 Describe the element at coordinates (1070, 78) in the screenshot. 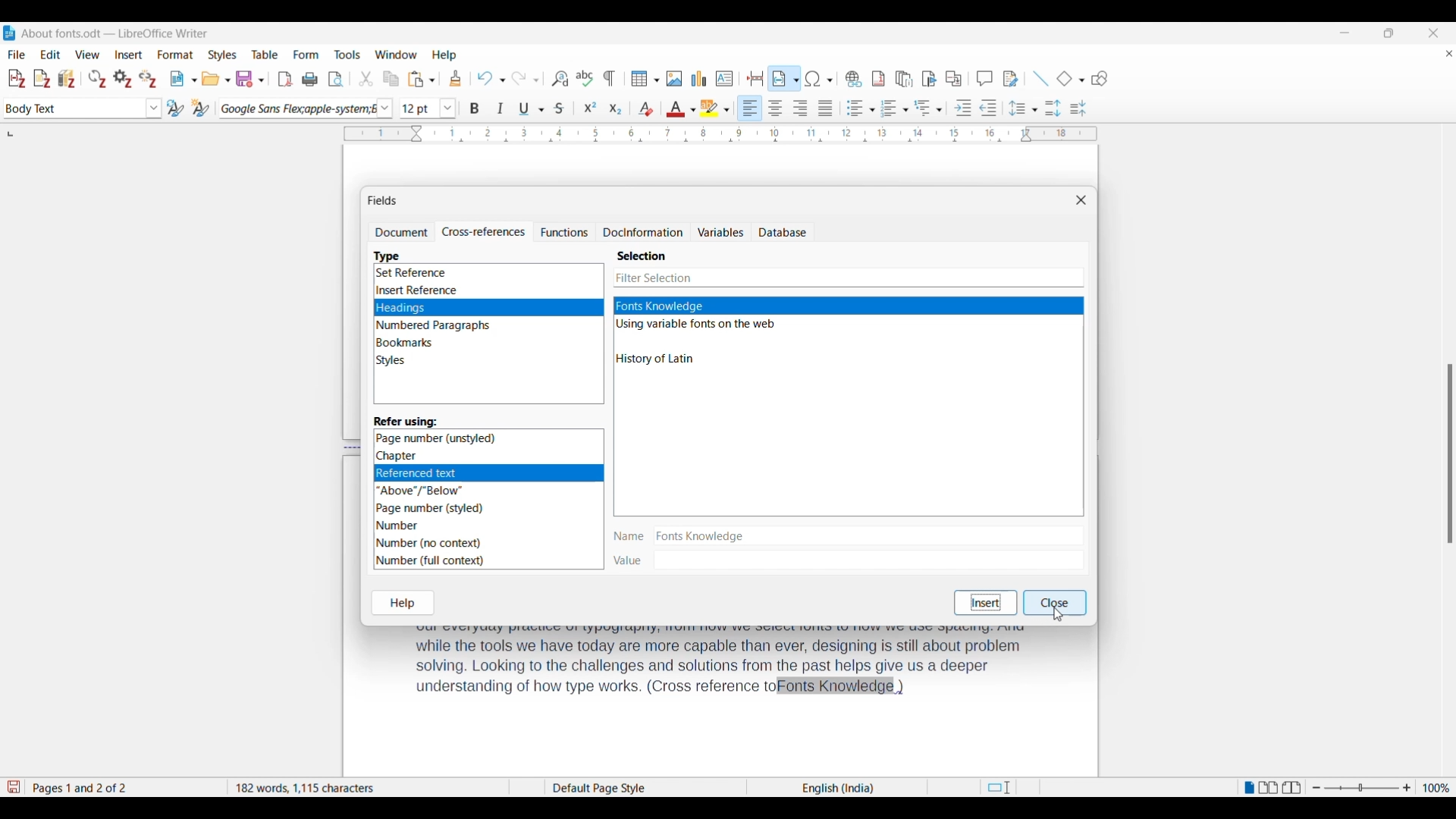

I see `Current basic shape and other basic shape options` at that location.